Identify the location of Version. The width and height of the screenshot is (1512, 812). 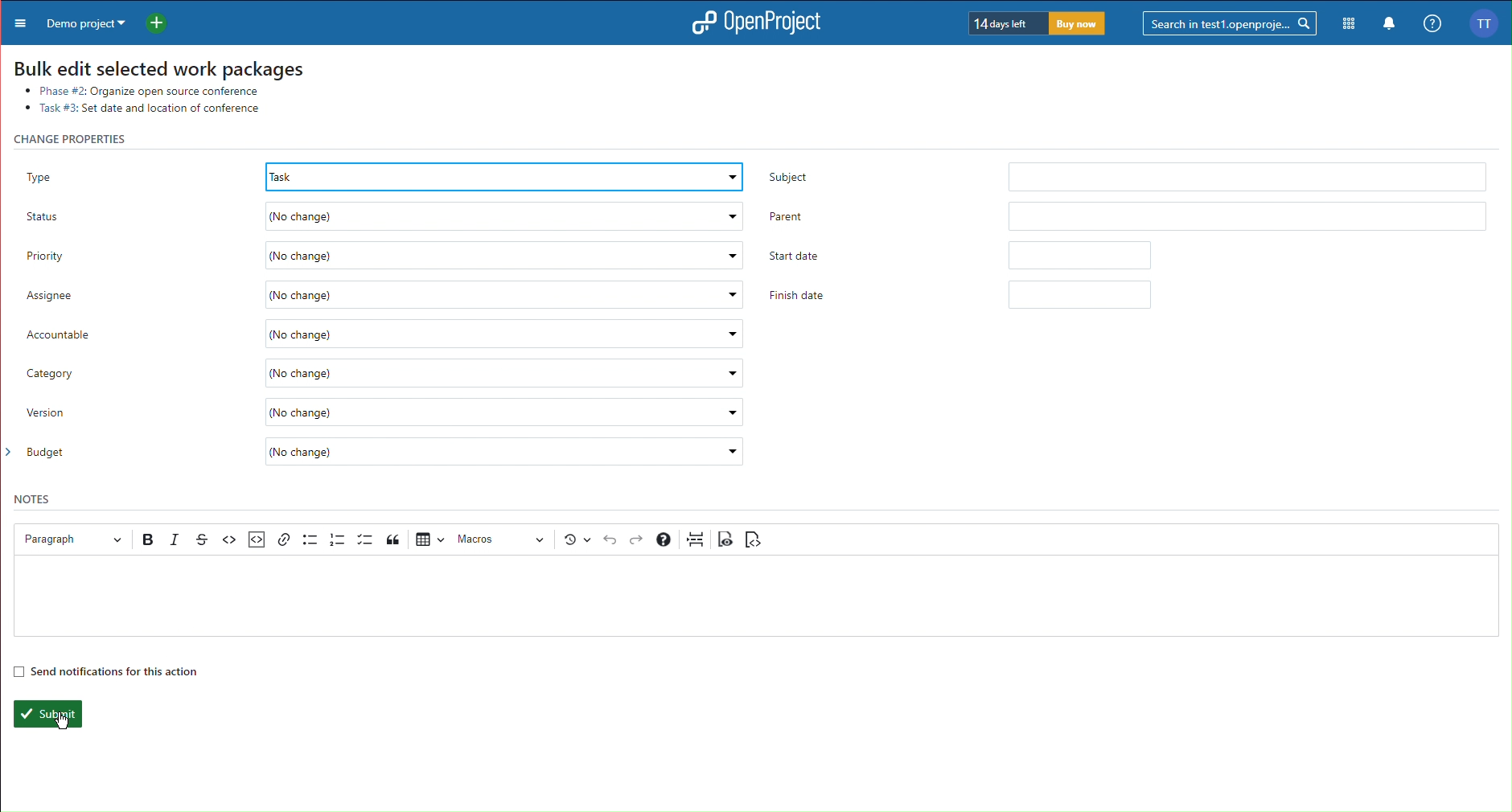
(386, 412).